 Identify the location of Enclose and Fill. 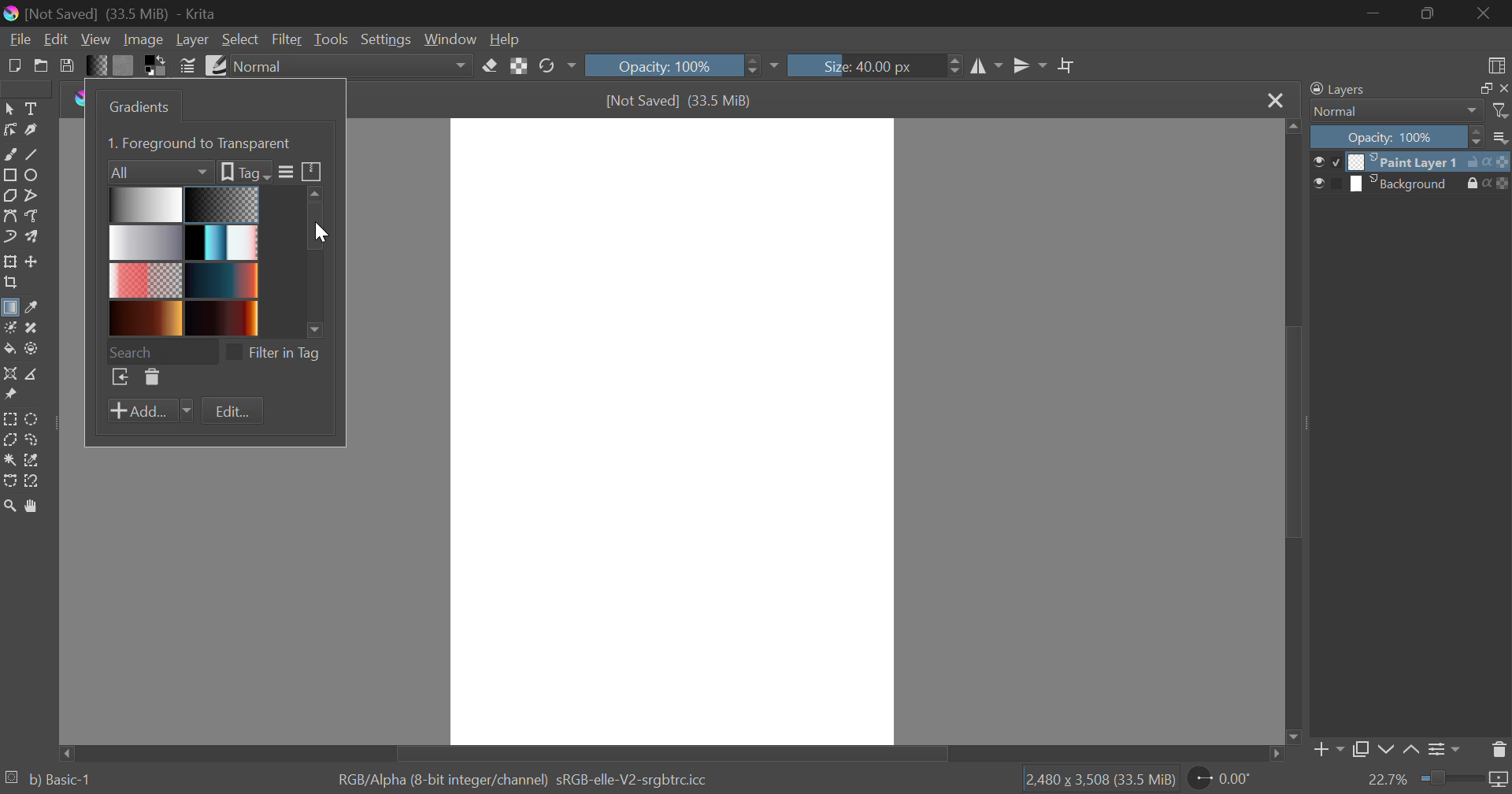
(30, 349).